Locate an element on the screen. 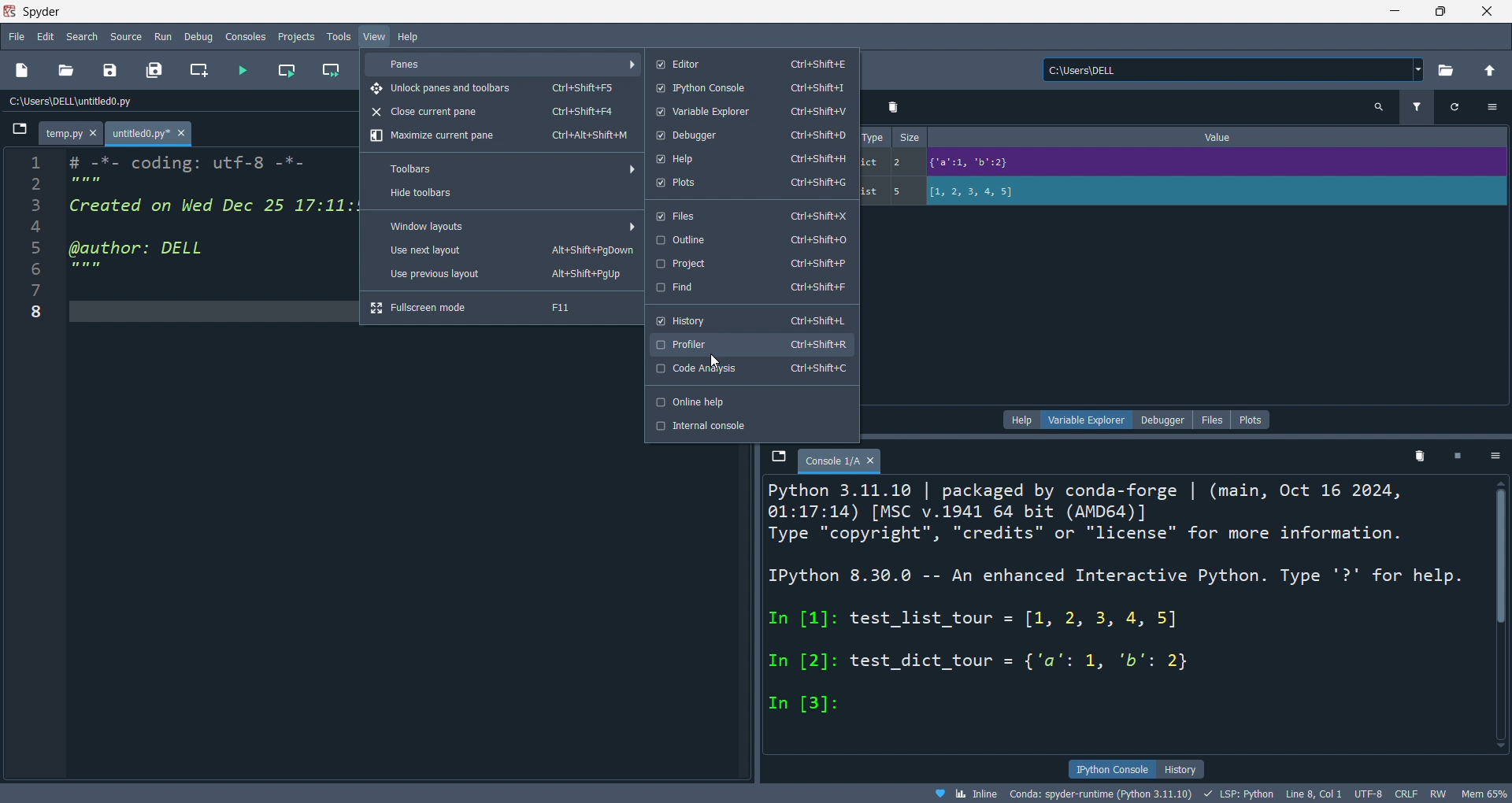 The width and height of the screenshot is (1512, 803). delete variables is located at coordinates (1417, 459).